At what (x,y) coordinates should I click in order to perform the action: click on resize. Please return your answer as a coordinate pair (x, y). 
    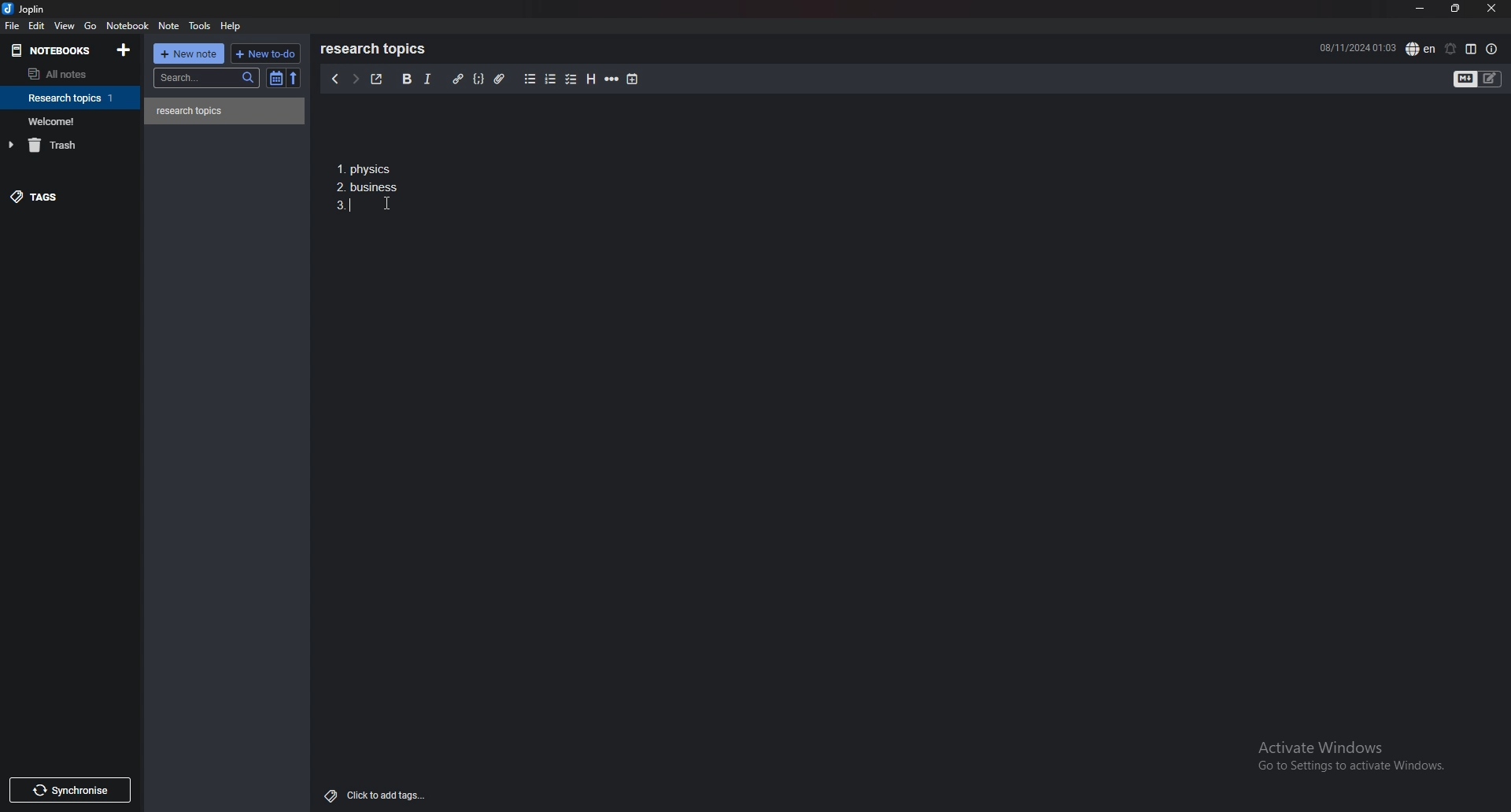
    Looking at the image, I should click on (1454, 8).